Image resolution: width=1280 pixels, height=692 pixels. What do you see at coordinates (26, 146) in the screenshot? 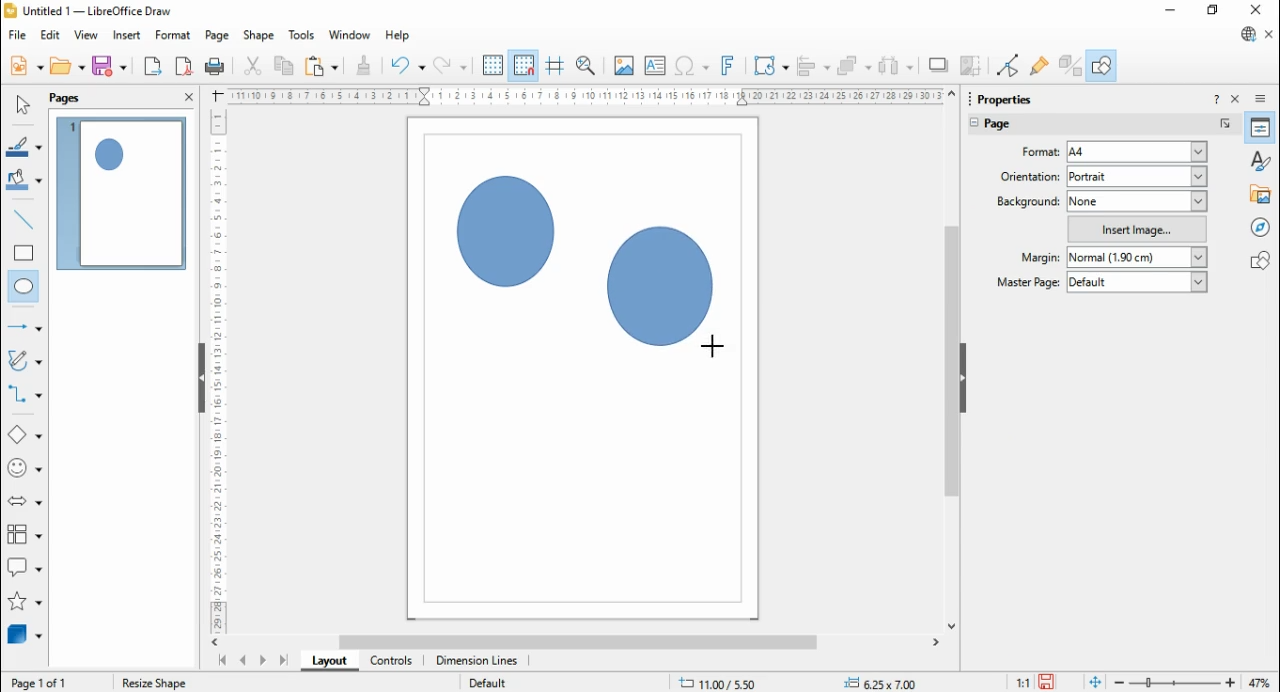
I see `line color` at bounding box center [26, 146].